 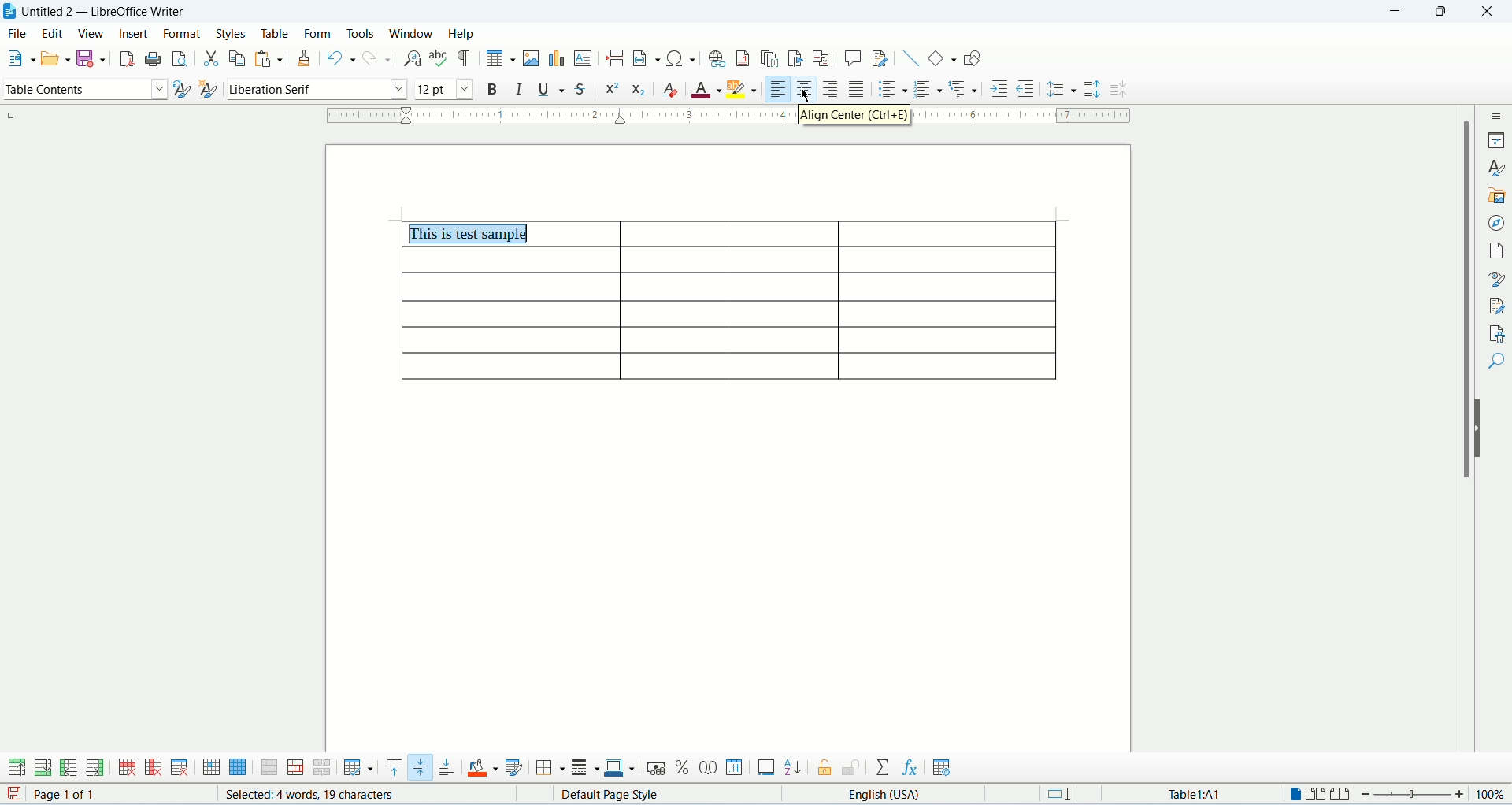 I want to click on align top, so click(x=392, y=769).